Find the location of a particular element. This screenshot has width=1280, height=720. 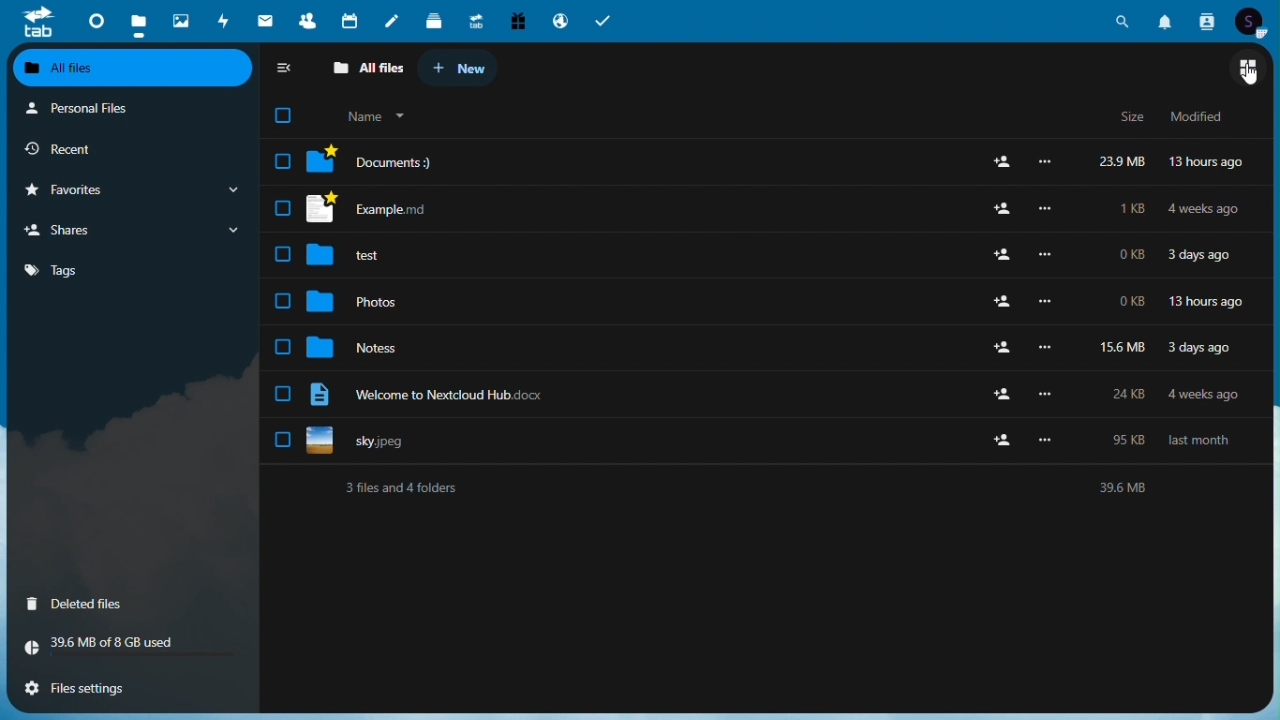

tab is located at coordinates (34, 23).